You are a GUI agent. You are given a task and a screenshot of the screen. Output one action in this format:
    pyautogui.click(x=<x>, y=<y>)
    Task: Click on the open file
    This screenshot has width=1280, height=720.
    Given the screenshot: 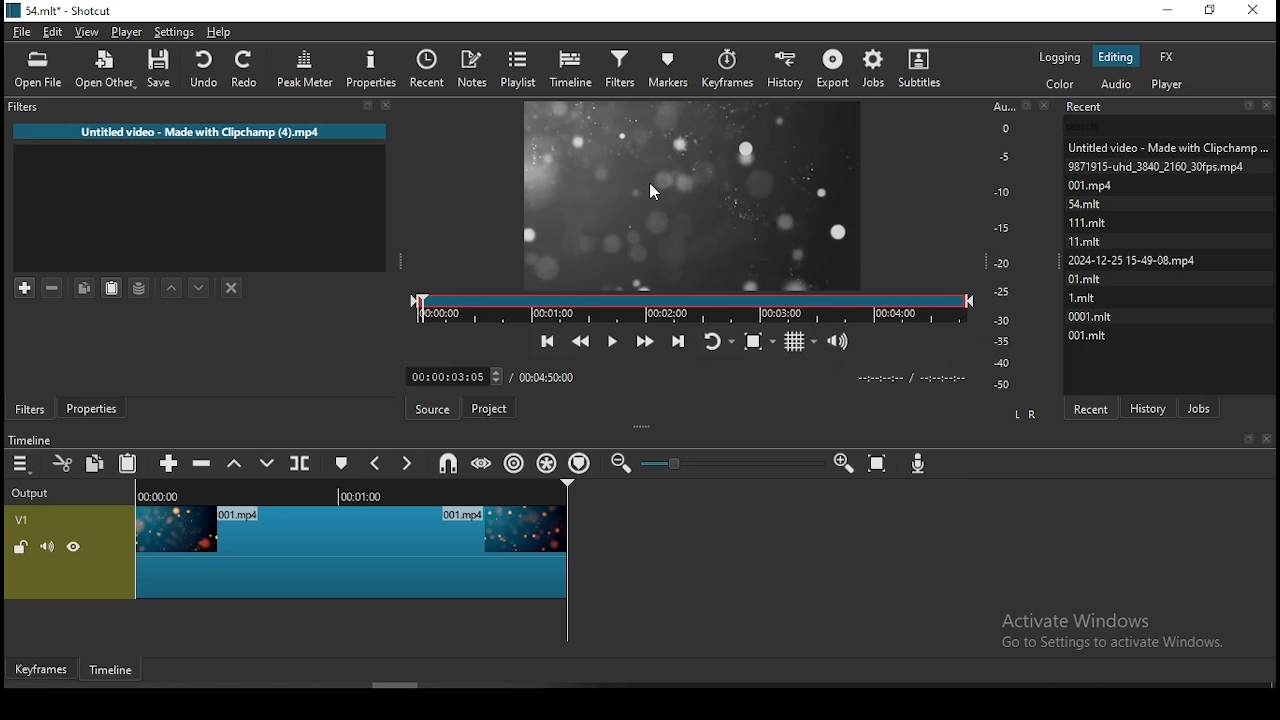 What is the action you would take?
    pyautogui.click(x=38, y=69)
    